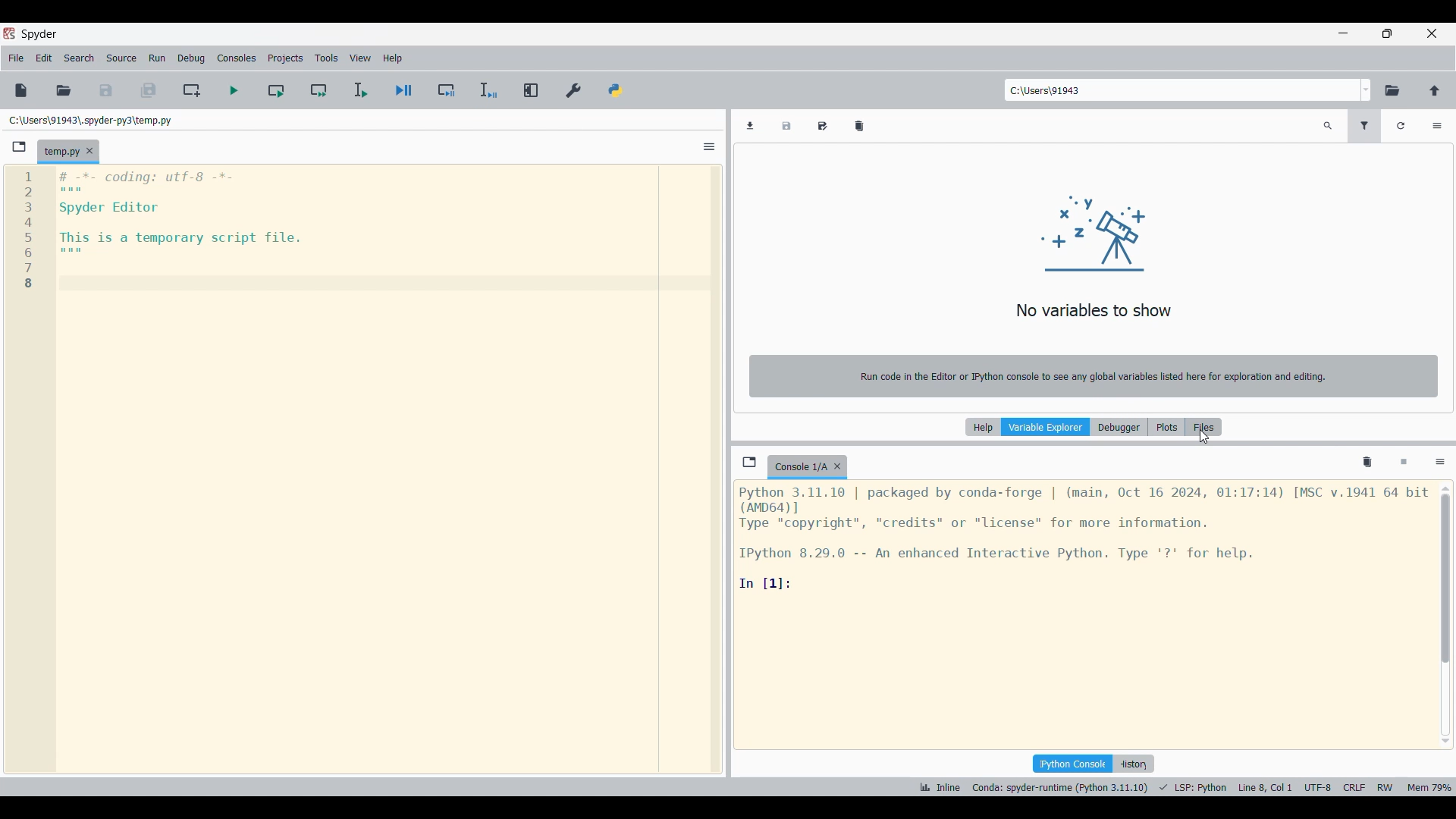 Image resolution: width=1456 pixels, height=819 pixels. Describe the element at coordinates (1343, 33) in the screenshot. I see `Minimize` at that location.